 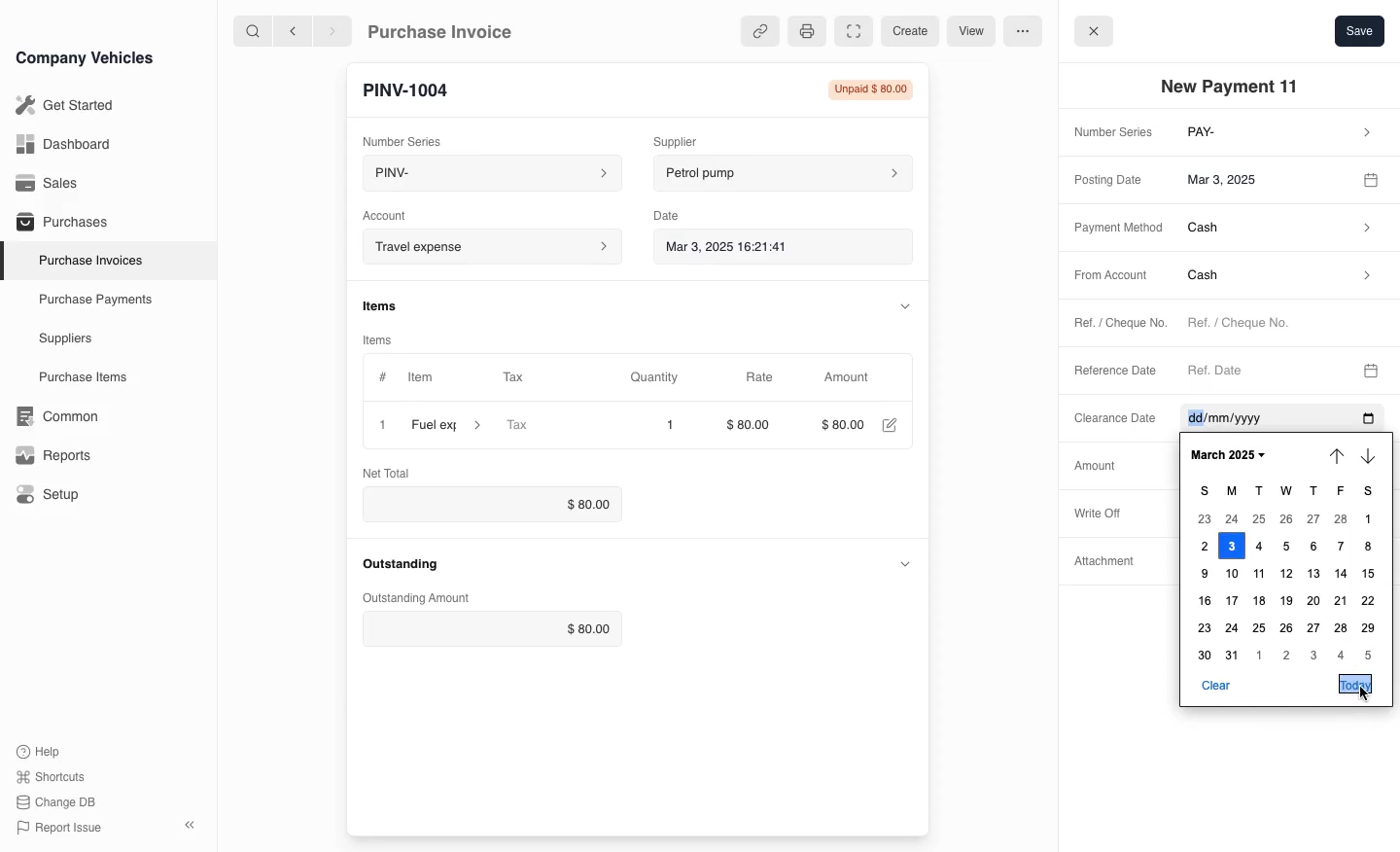 I want to click on calender, so click(x=1372, y=368).